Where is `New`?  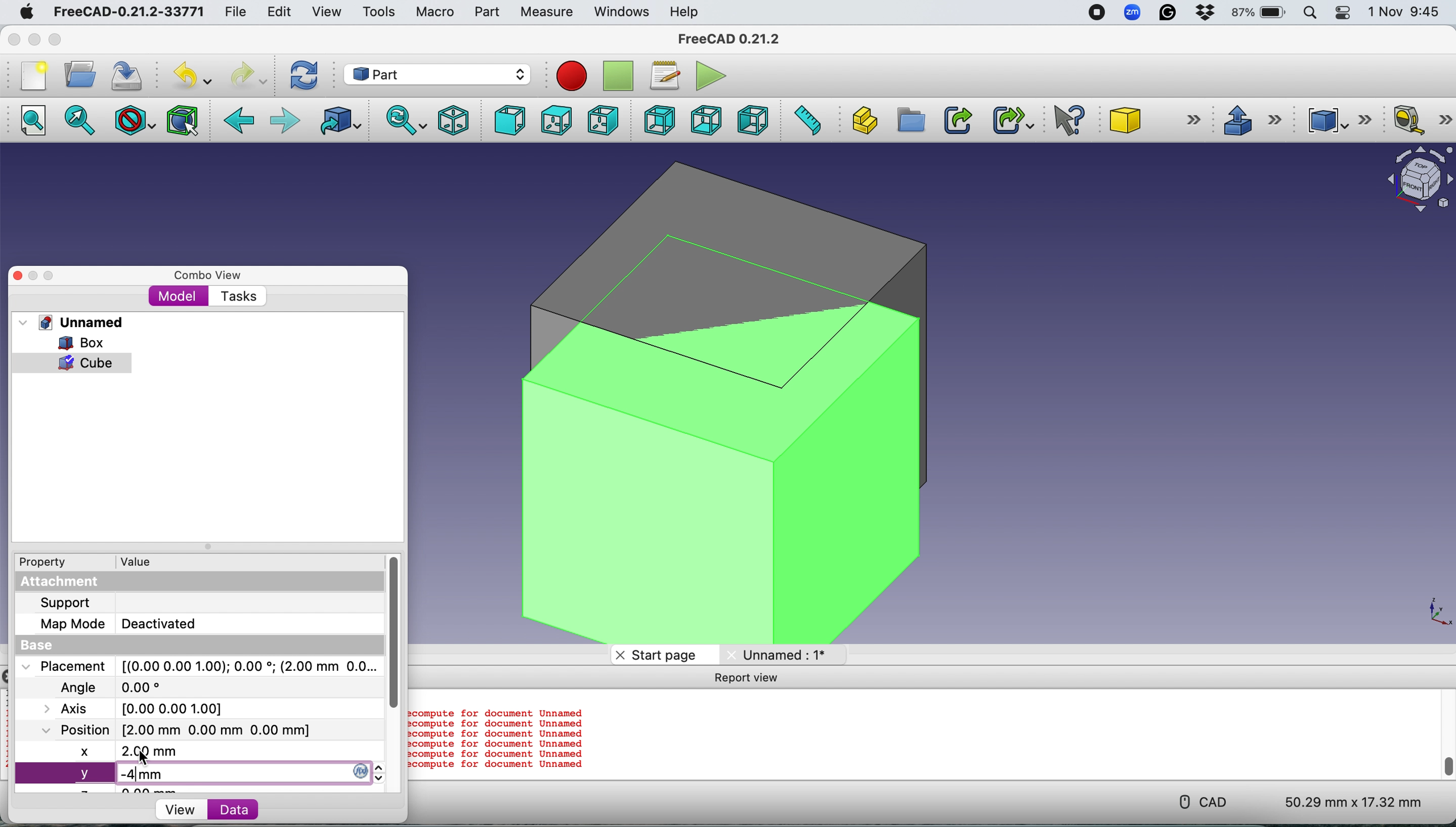 New is located at coordinates (32, 76).